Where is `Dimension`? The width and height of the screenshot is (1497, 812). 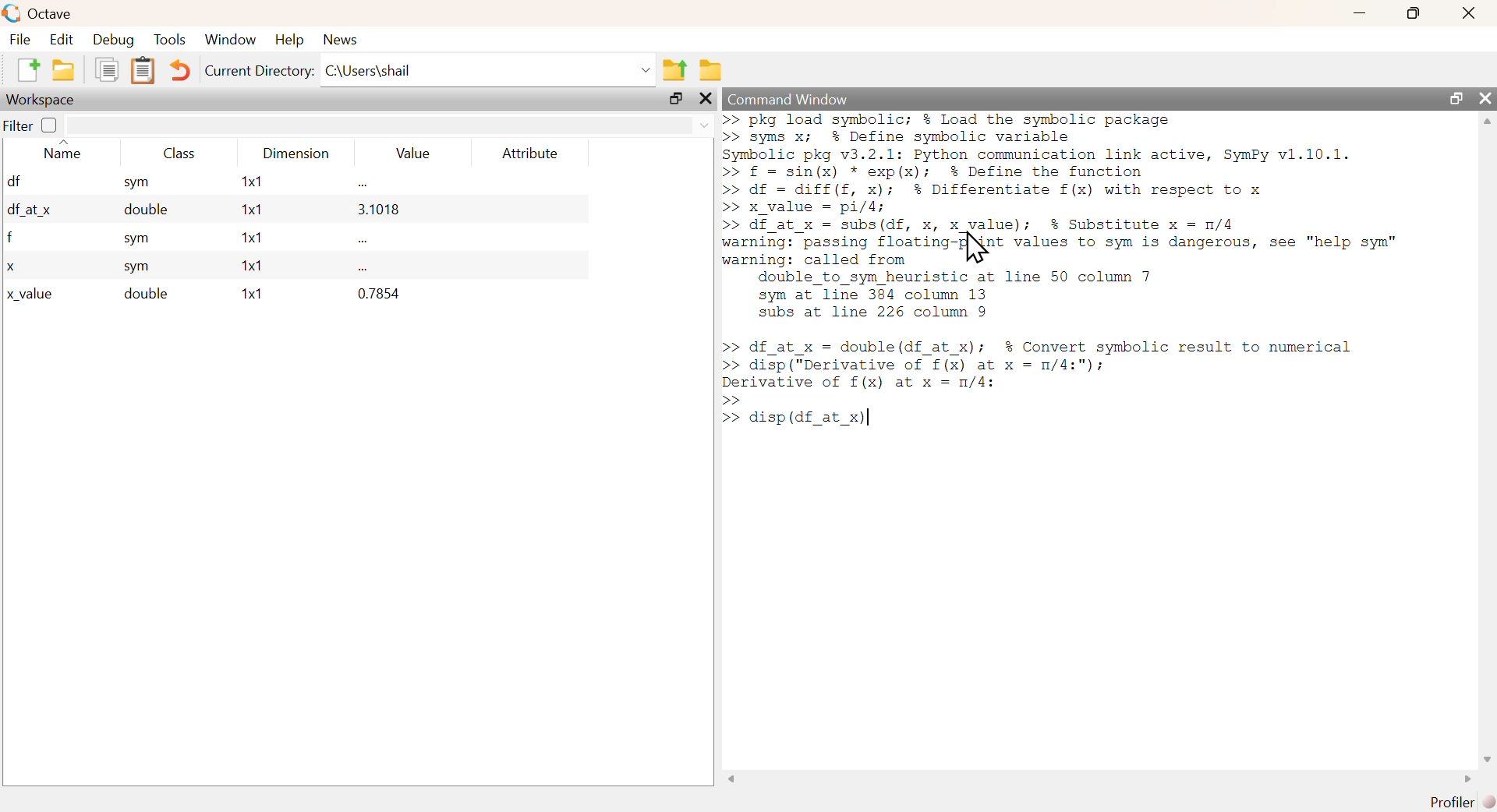
Dimension is located at coordinates (299, 154).